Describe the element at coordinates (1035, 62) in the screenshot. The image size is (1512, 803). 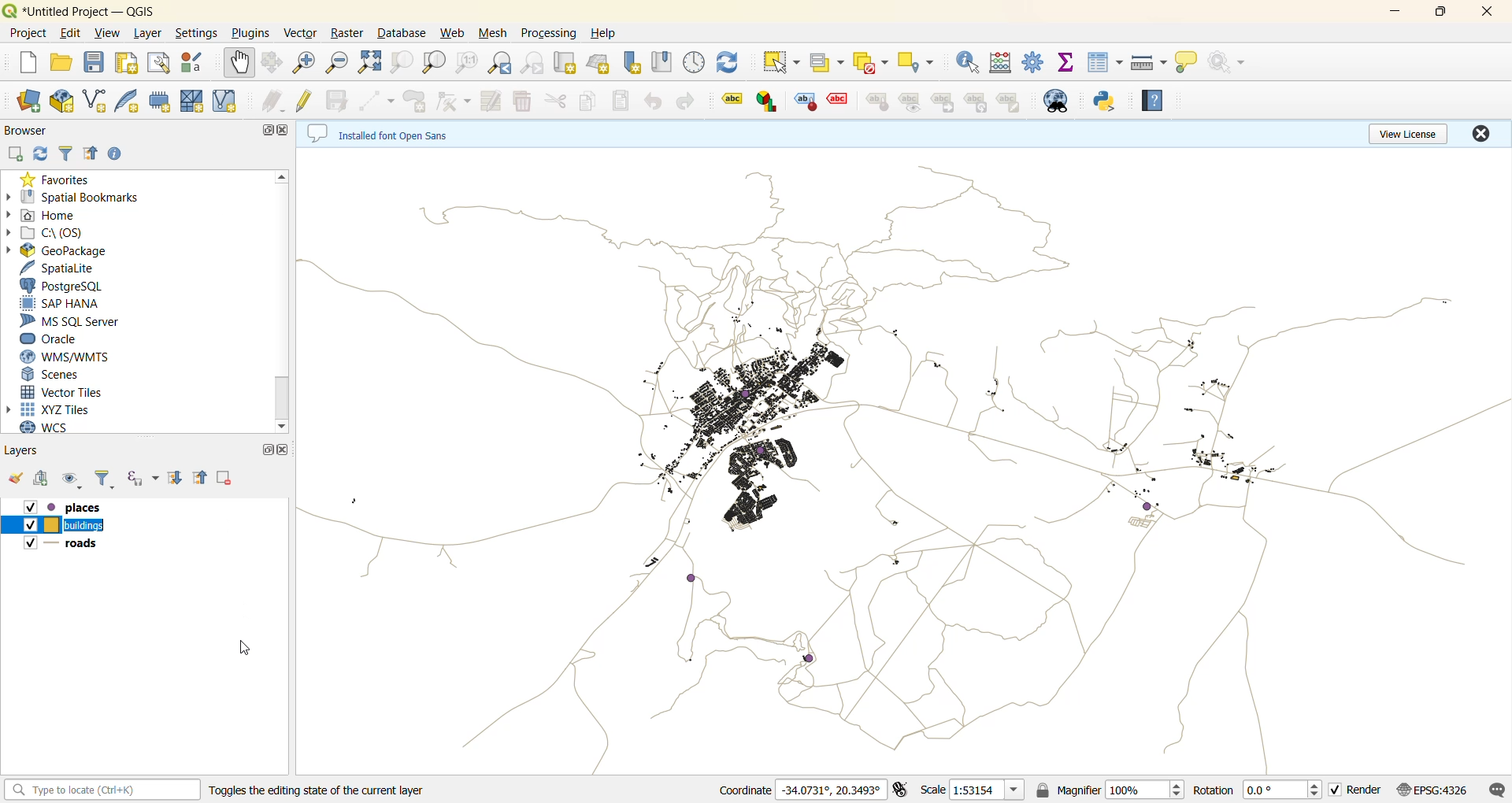
I see `toolbox` at that location.